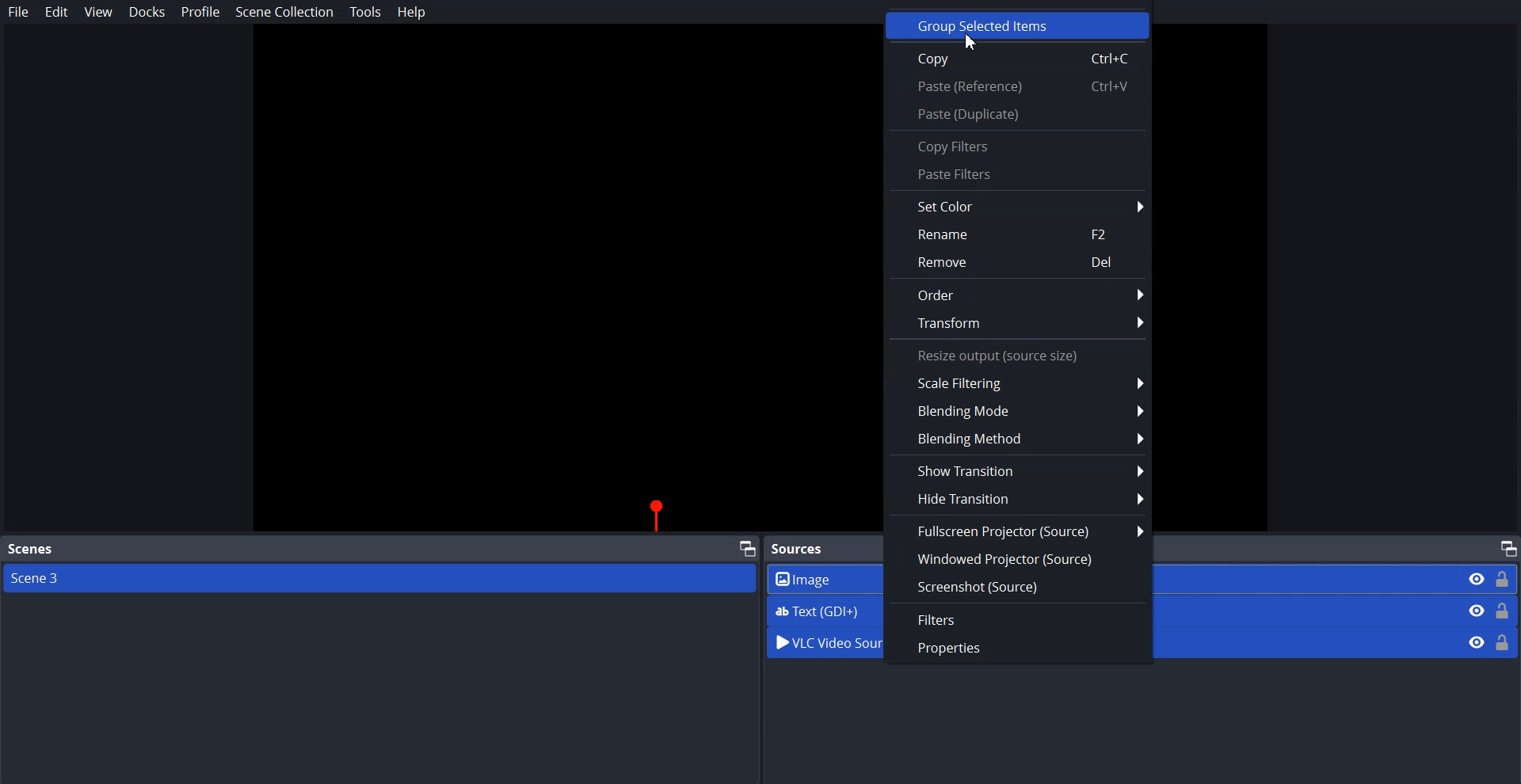 The image size is (1521, 784). I want to click on Transform, so click(1019, 324).